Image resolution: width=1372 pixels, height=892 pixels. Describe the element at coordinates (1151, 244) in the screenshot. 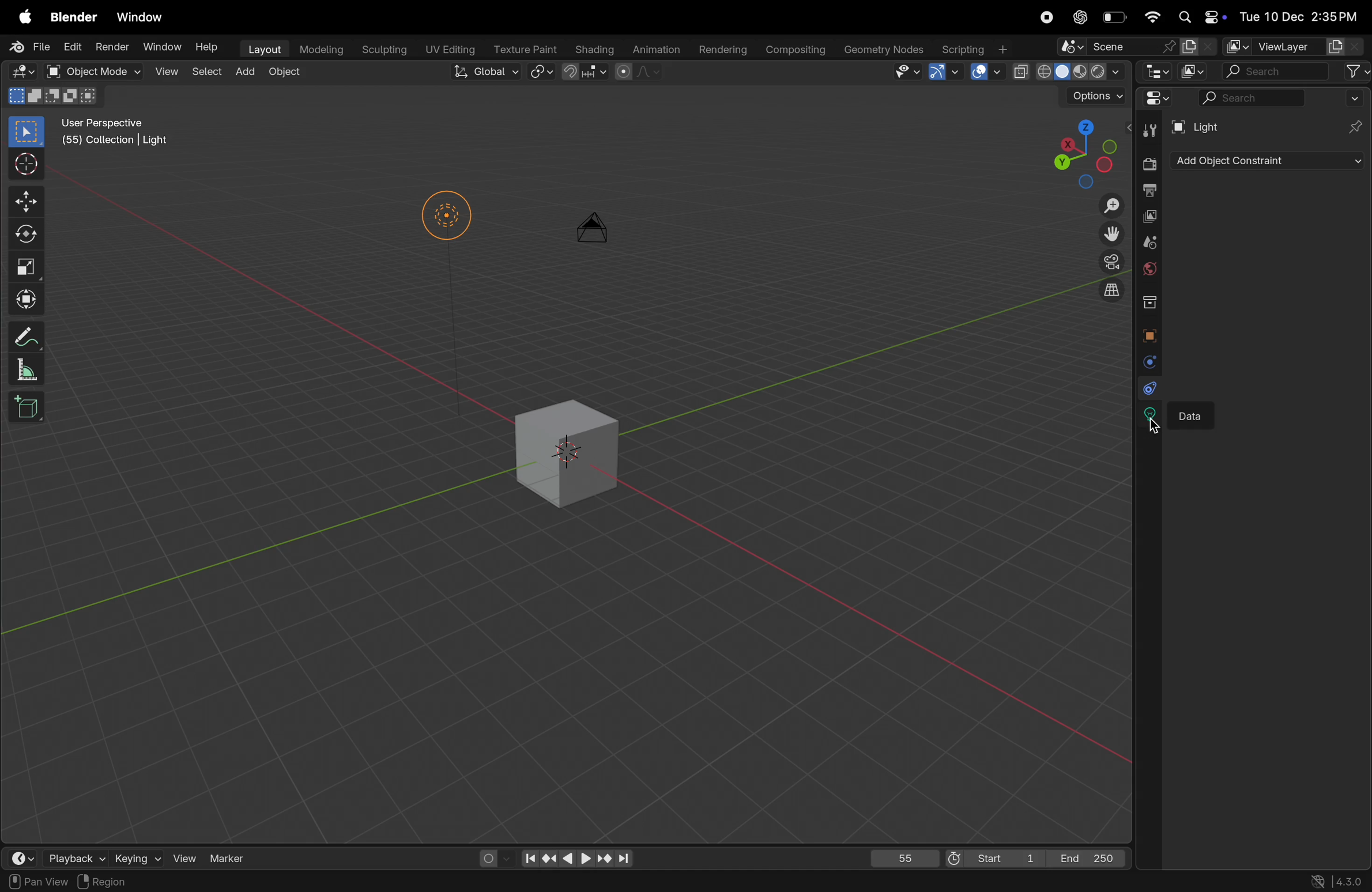

I see `scene` at that location.